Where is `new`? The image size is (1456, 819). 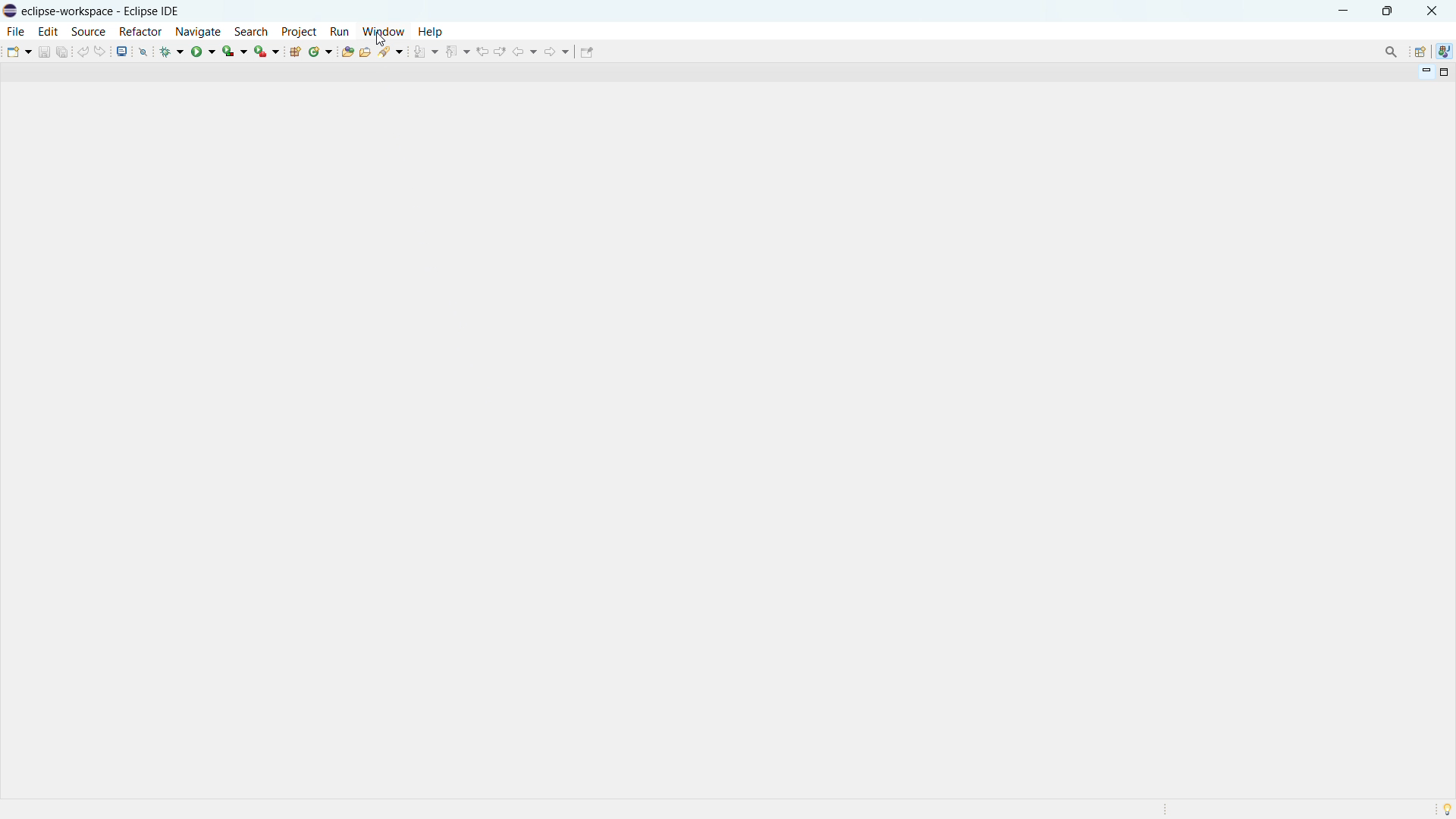
new is located at coordinates (17, 51).